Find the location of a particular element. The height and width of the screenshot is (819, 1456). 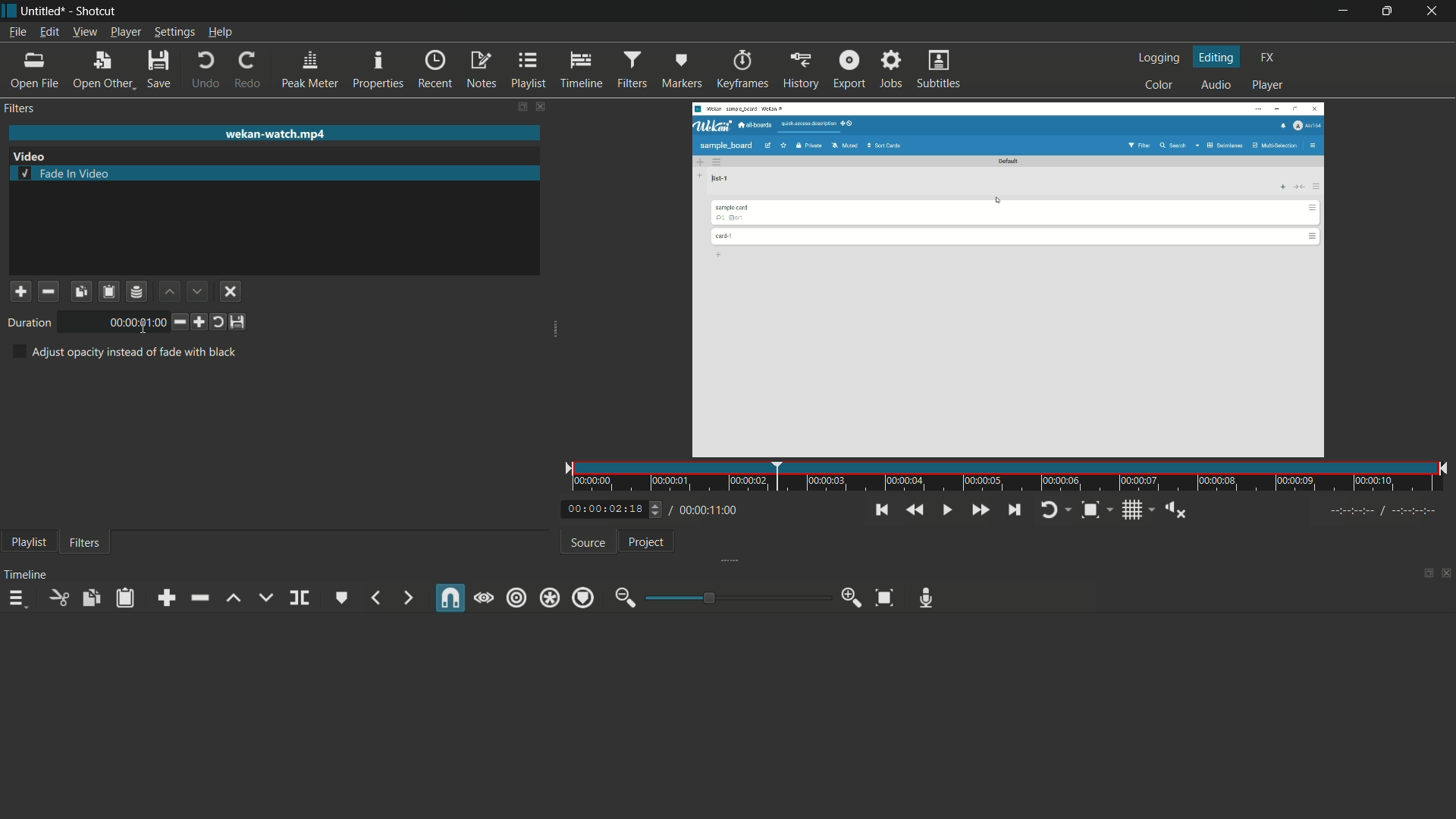

toggle play or pause is located at coordinates (946, 510).